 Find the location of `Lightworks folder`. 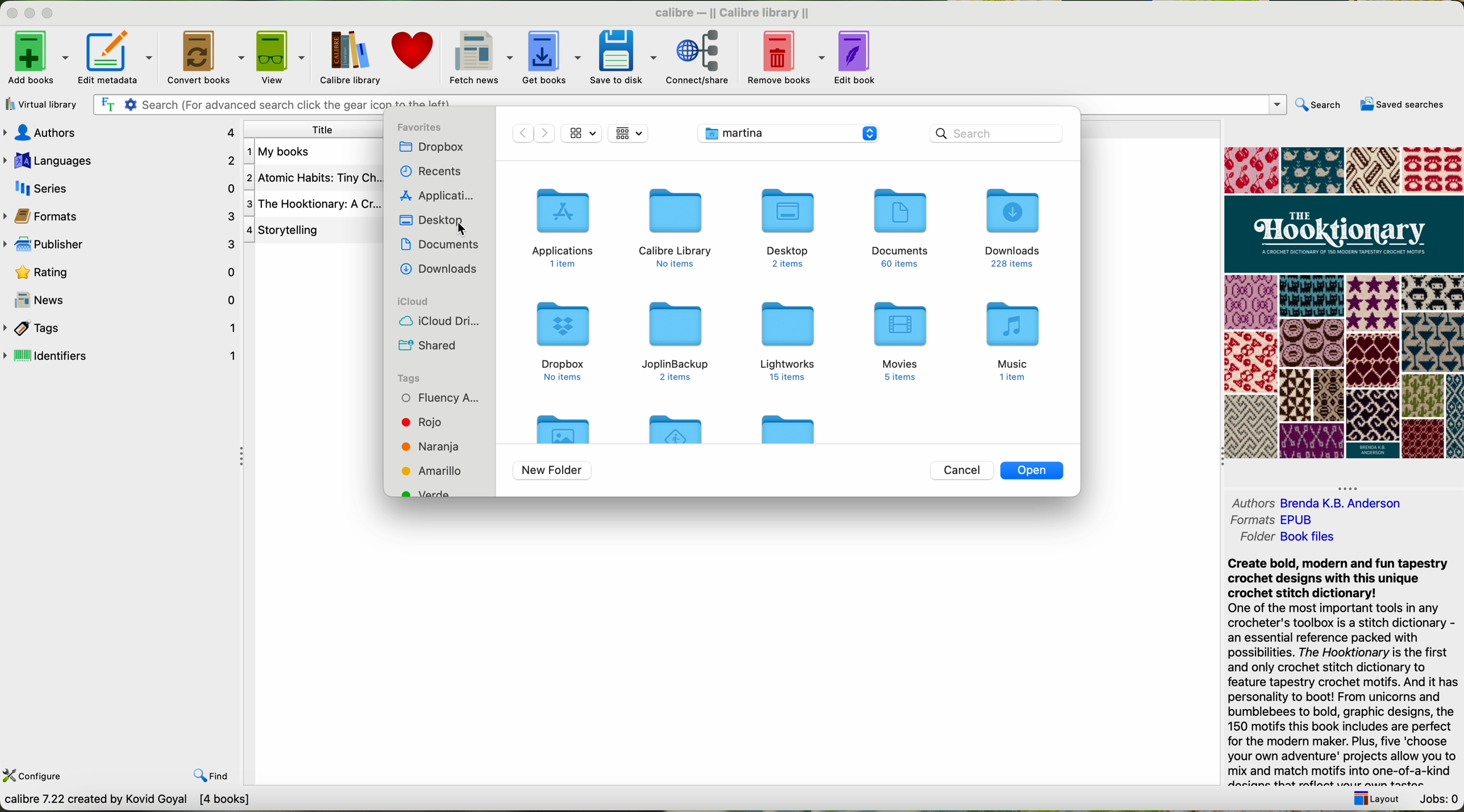

Lightworks folder is located at coordinates (789, 340).